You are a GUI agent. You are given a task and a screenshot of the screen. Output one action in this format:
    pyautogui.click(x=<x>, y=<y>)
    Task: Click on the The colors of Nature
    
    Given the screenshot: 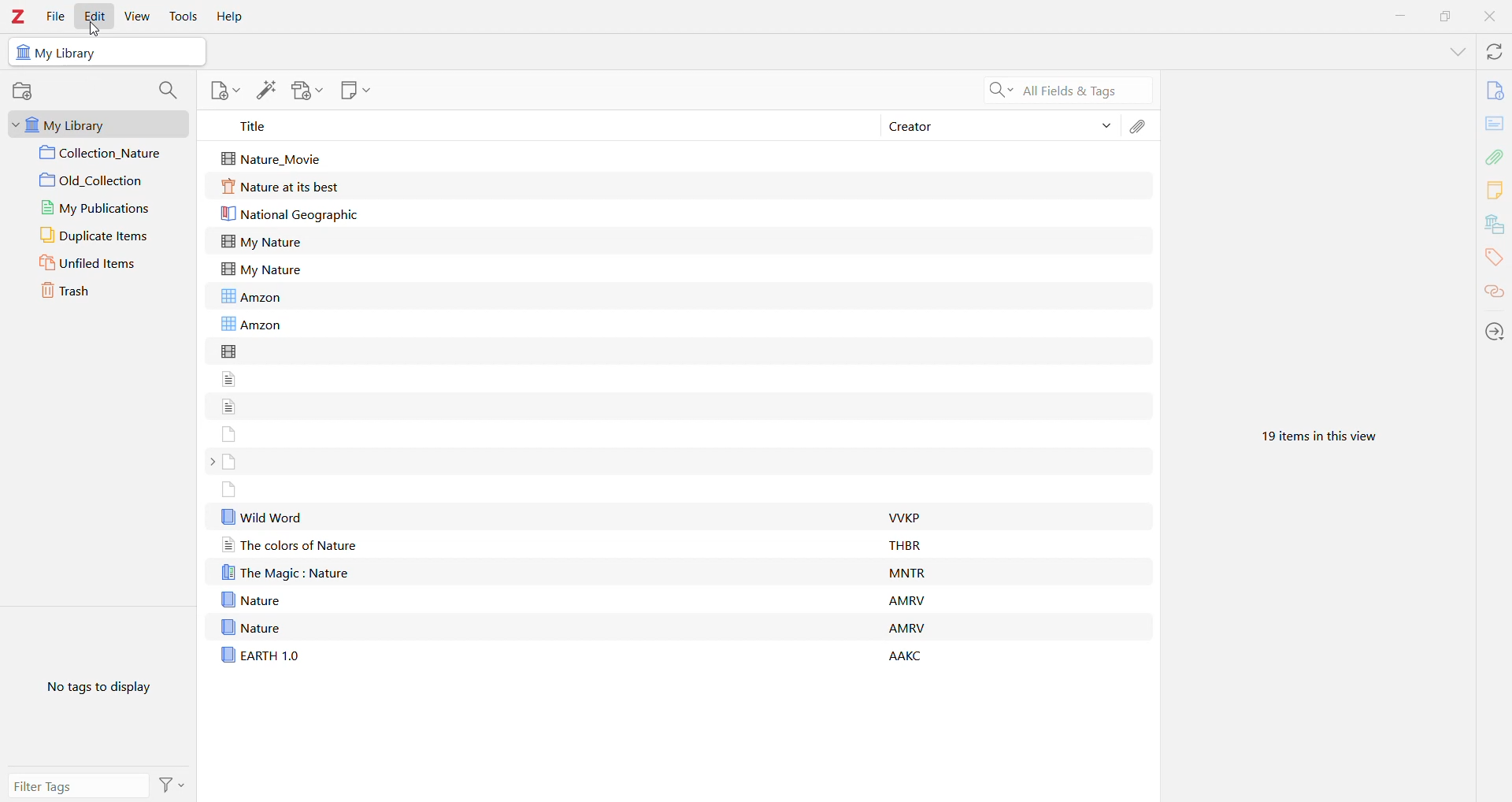 What is the action you would take?
    pyautogui.click(x=290, y=546)
    